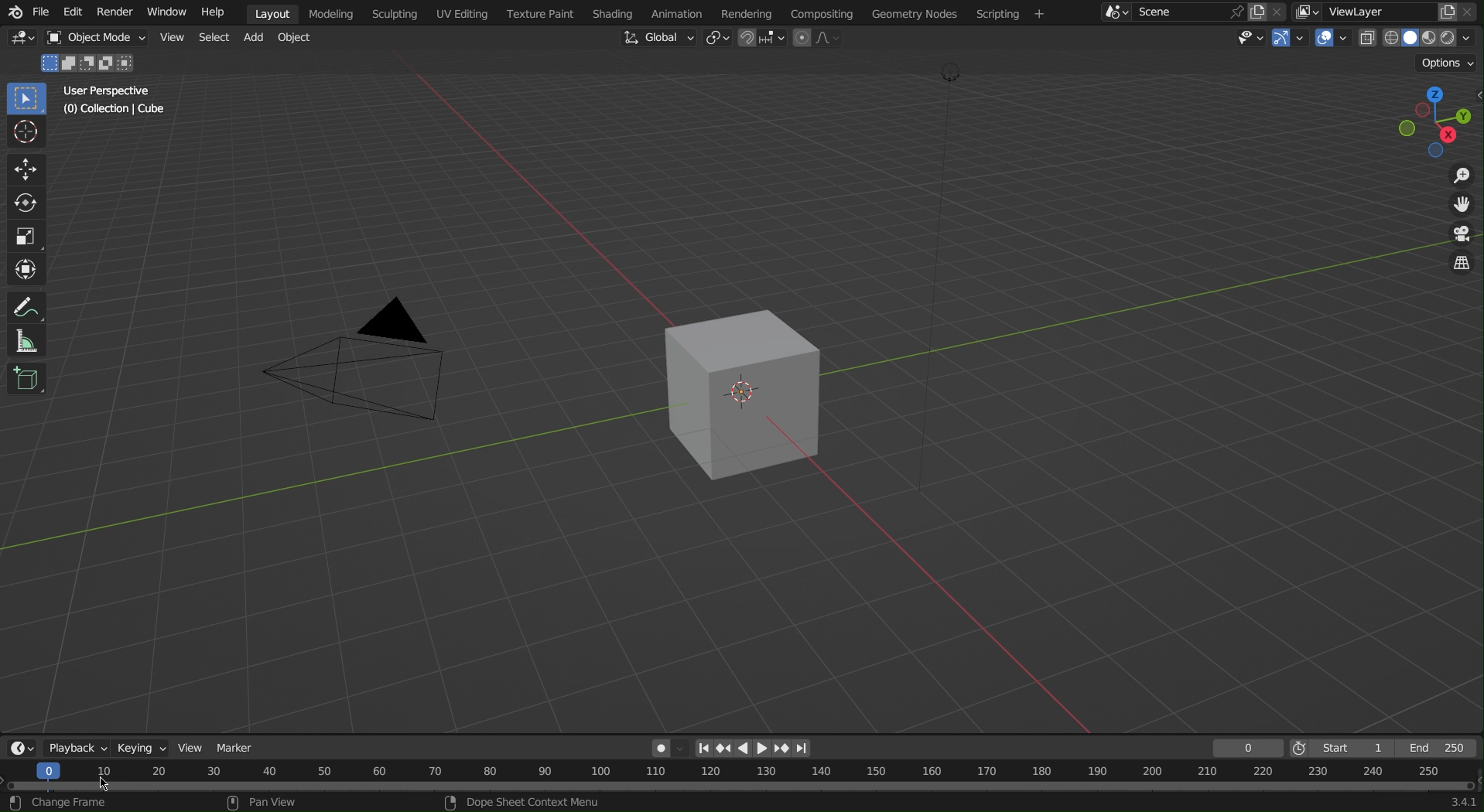 The image size is (1484, 812). What do you see at coordinates (214, 12) in the screenshot?
I see `Help` at bounding box center [214, 12].